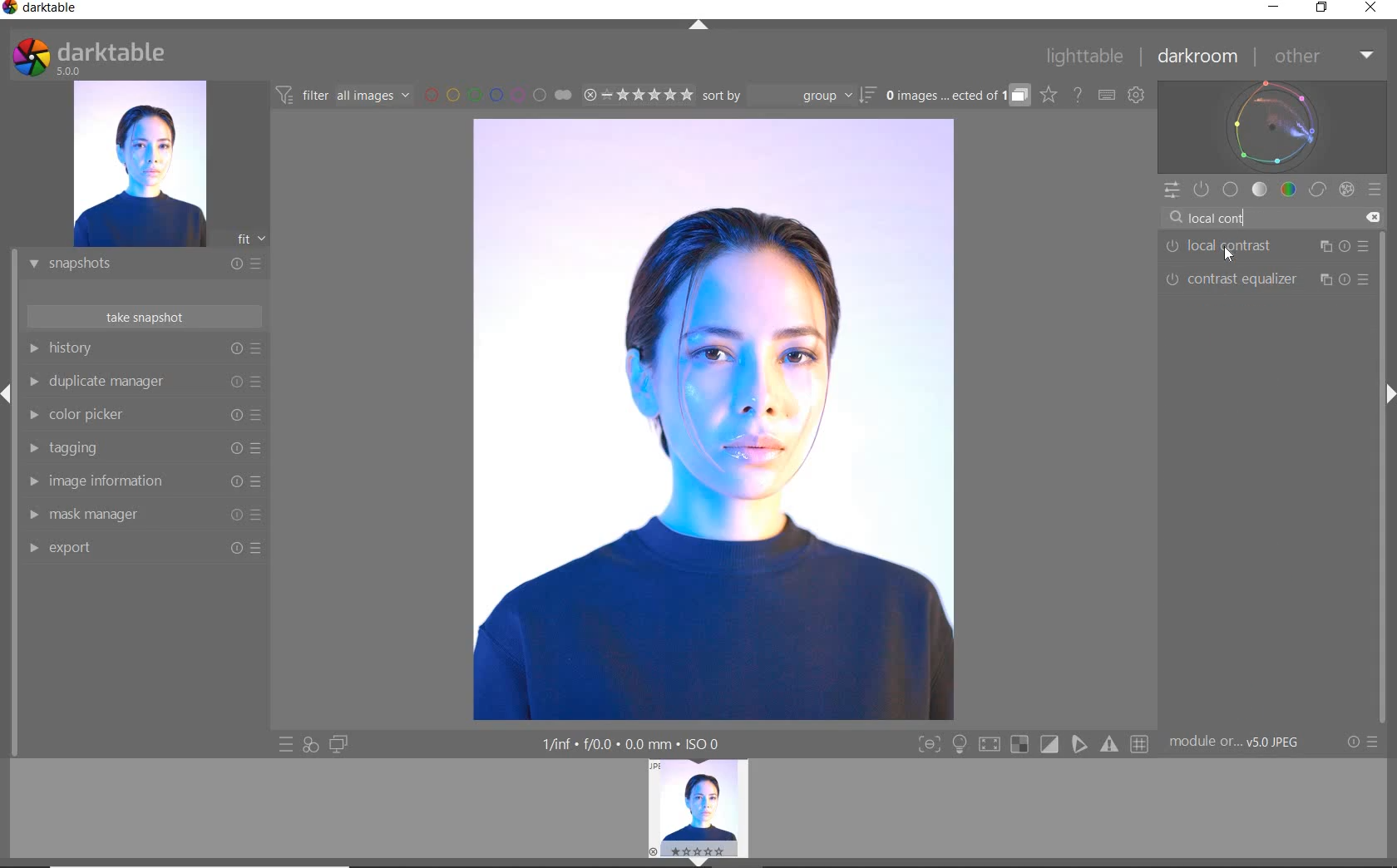 Image resolution: width=1397 pixels, height=868 pixels. I want to click on Expand/Collapse, so click(8, 394).